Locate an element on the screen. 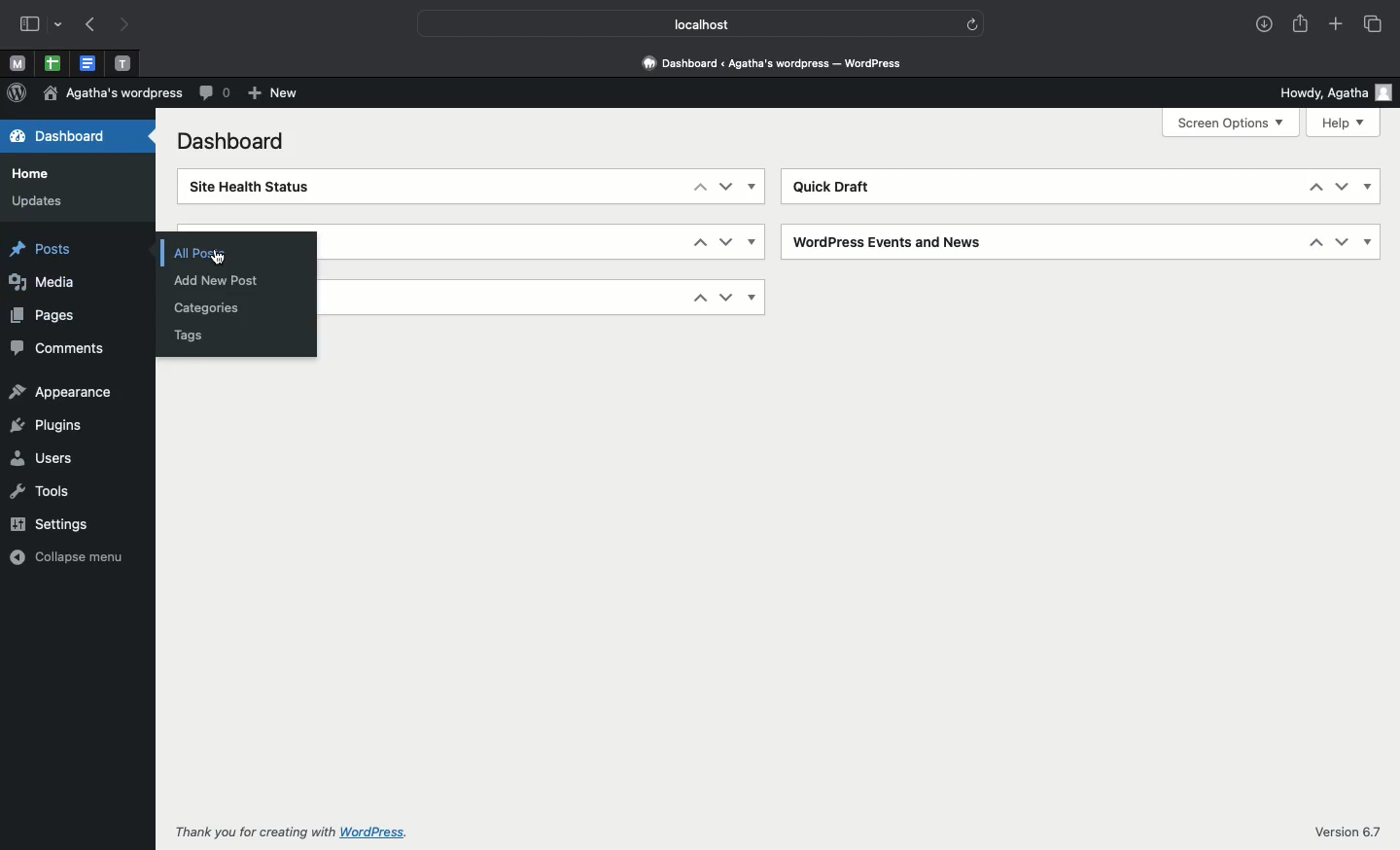 The image size is (1400, 850). Comments is located at coordinates (216, 94).